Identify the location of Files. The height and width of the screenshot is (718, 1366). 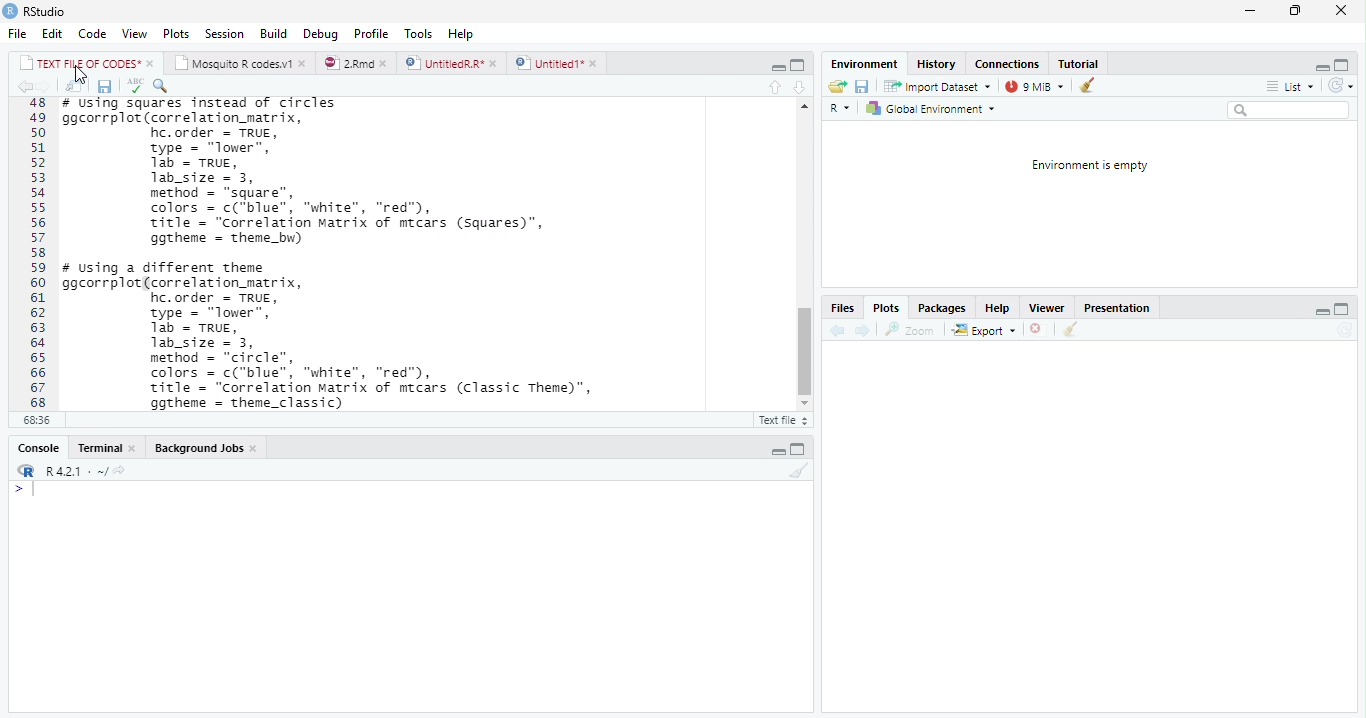
(842, 307).